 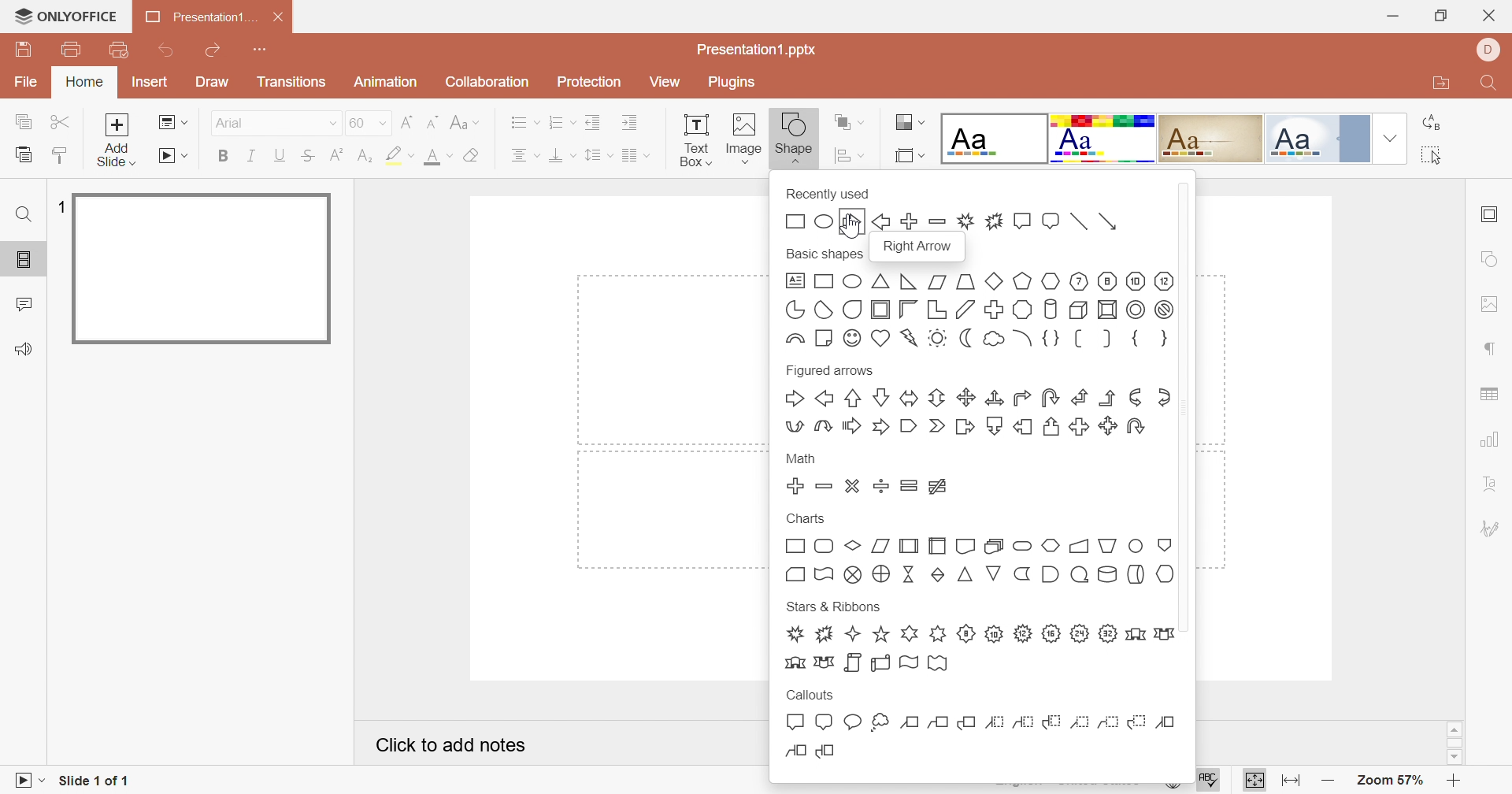 I want to click on English - United States, so click(x=1068, y=782).